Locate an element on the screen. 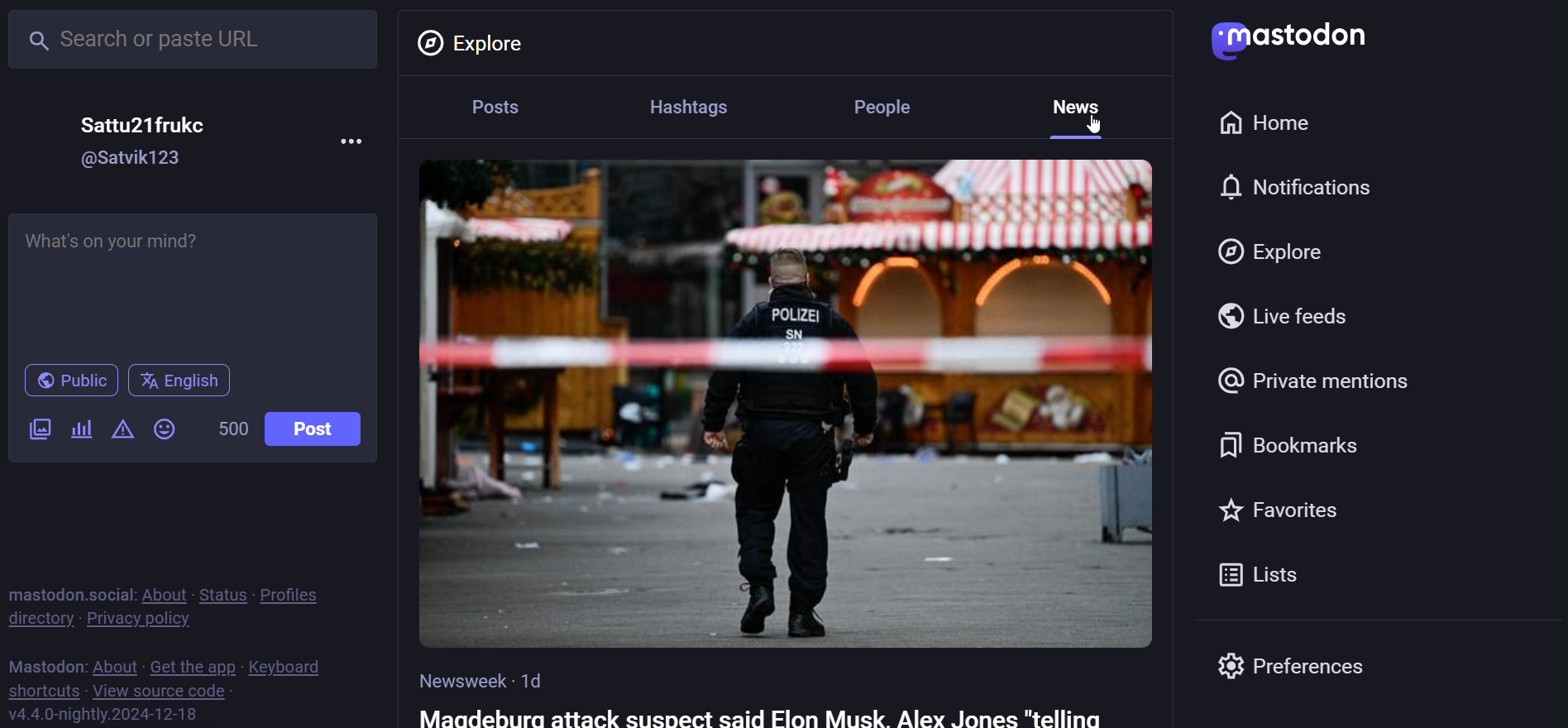 The image size is (1568, 728). Maqdeburg attack suspect said Elon Muck Alex jones "telling is located at coordinates (782, 716).